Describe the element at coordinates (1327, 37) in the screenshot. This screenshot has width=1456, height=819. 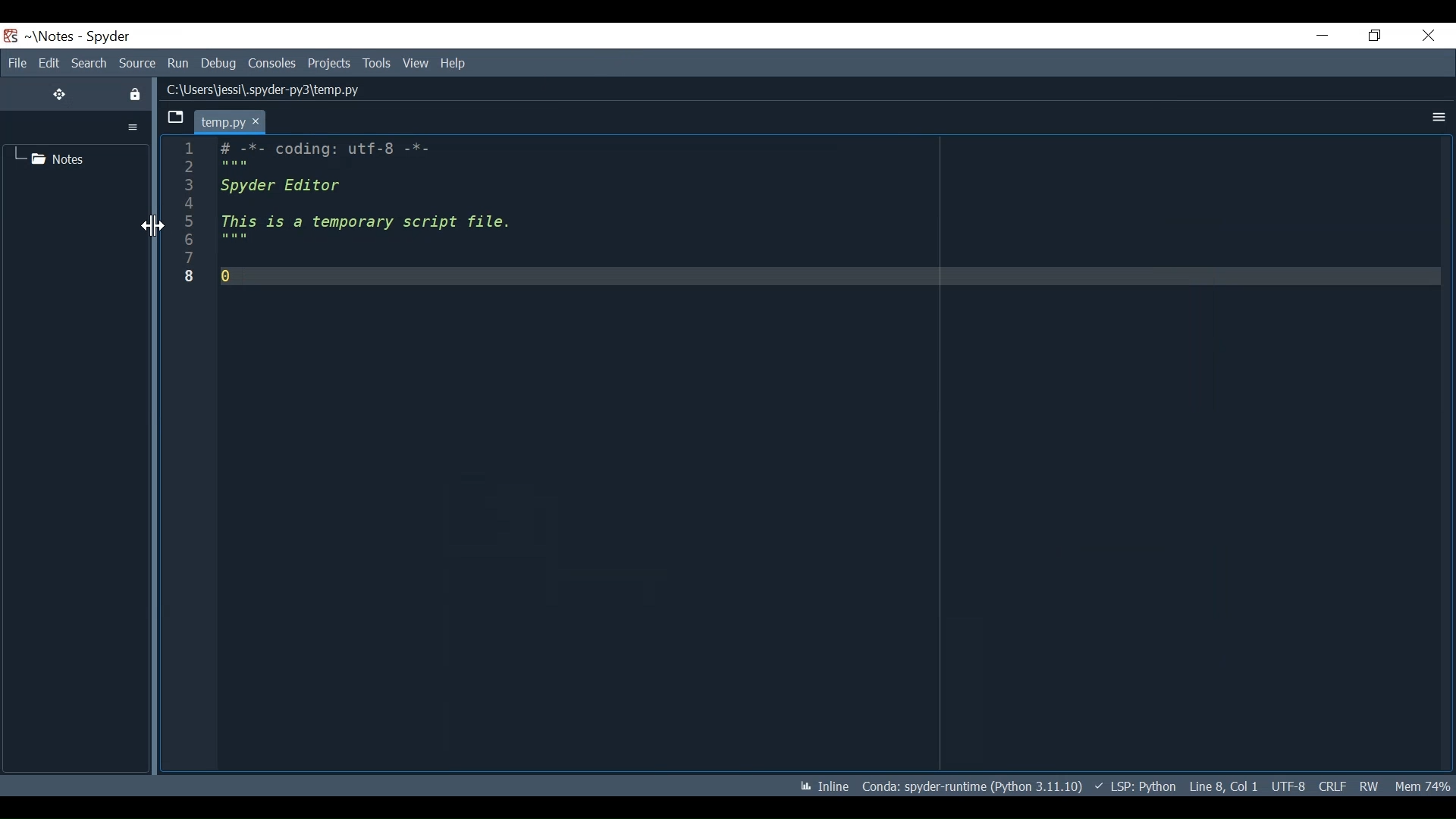
I see `Minimize` at that location.